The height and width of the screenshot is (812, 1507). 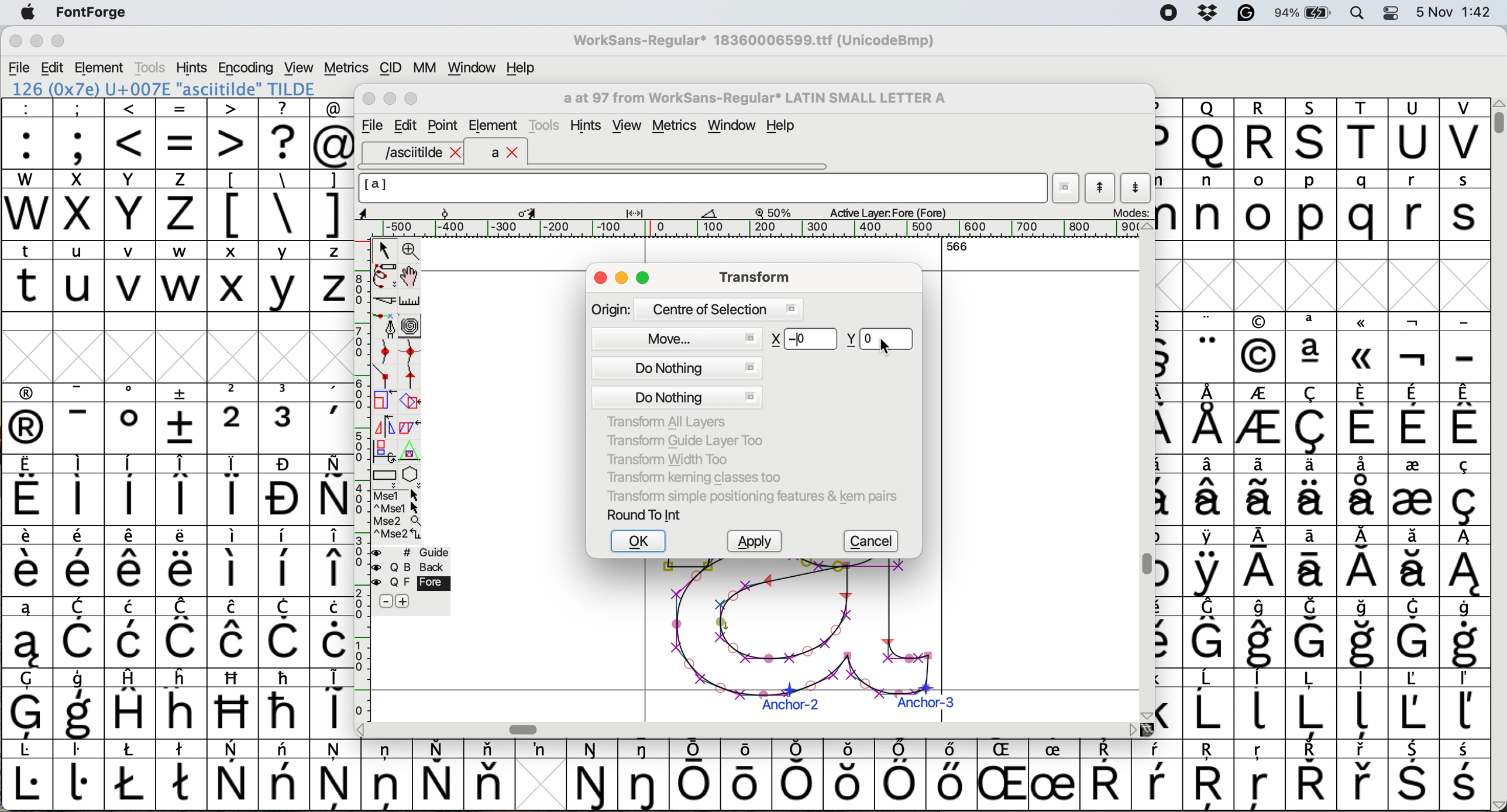 What do you see at coordinates (234, 490) in the screenshot?
I see `symbol` at bounding box center [234, 490].